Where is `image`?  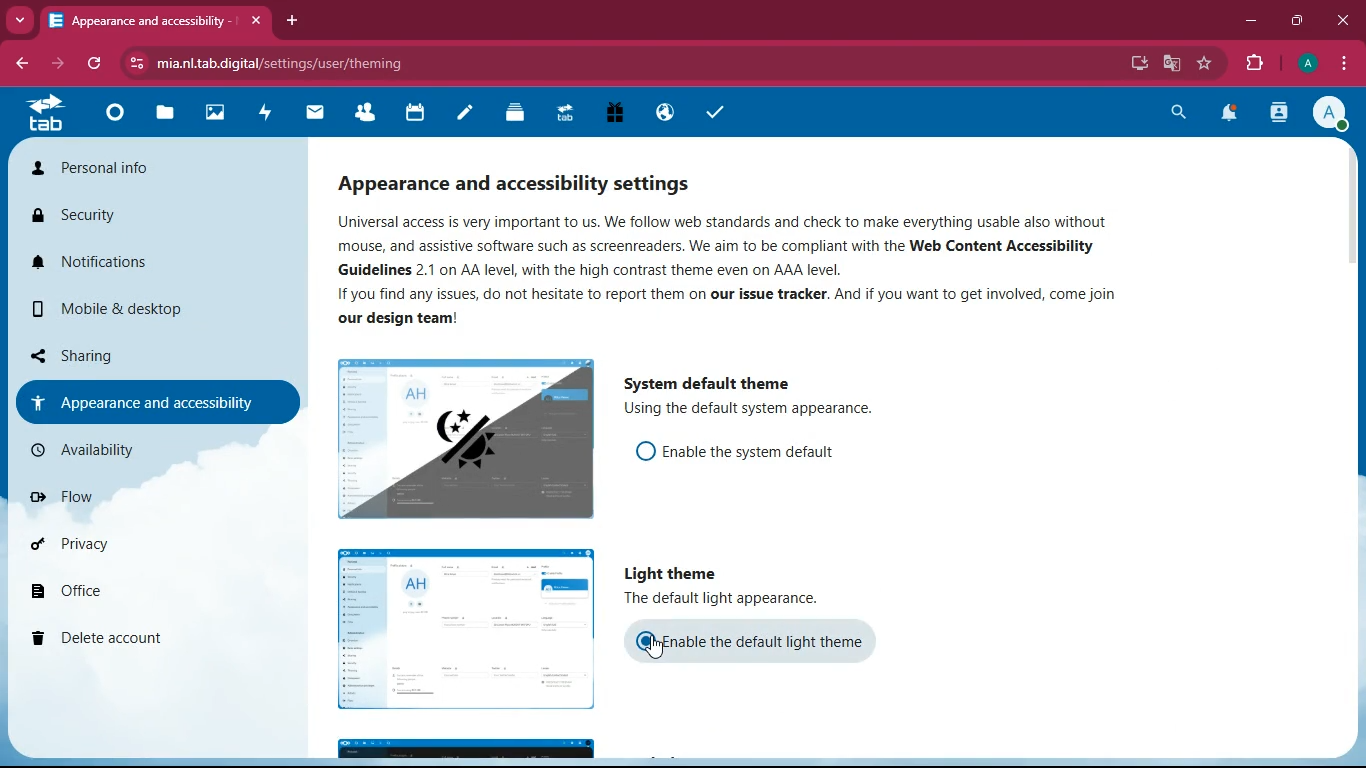 image is located at coordinates (470, 629).